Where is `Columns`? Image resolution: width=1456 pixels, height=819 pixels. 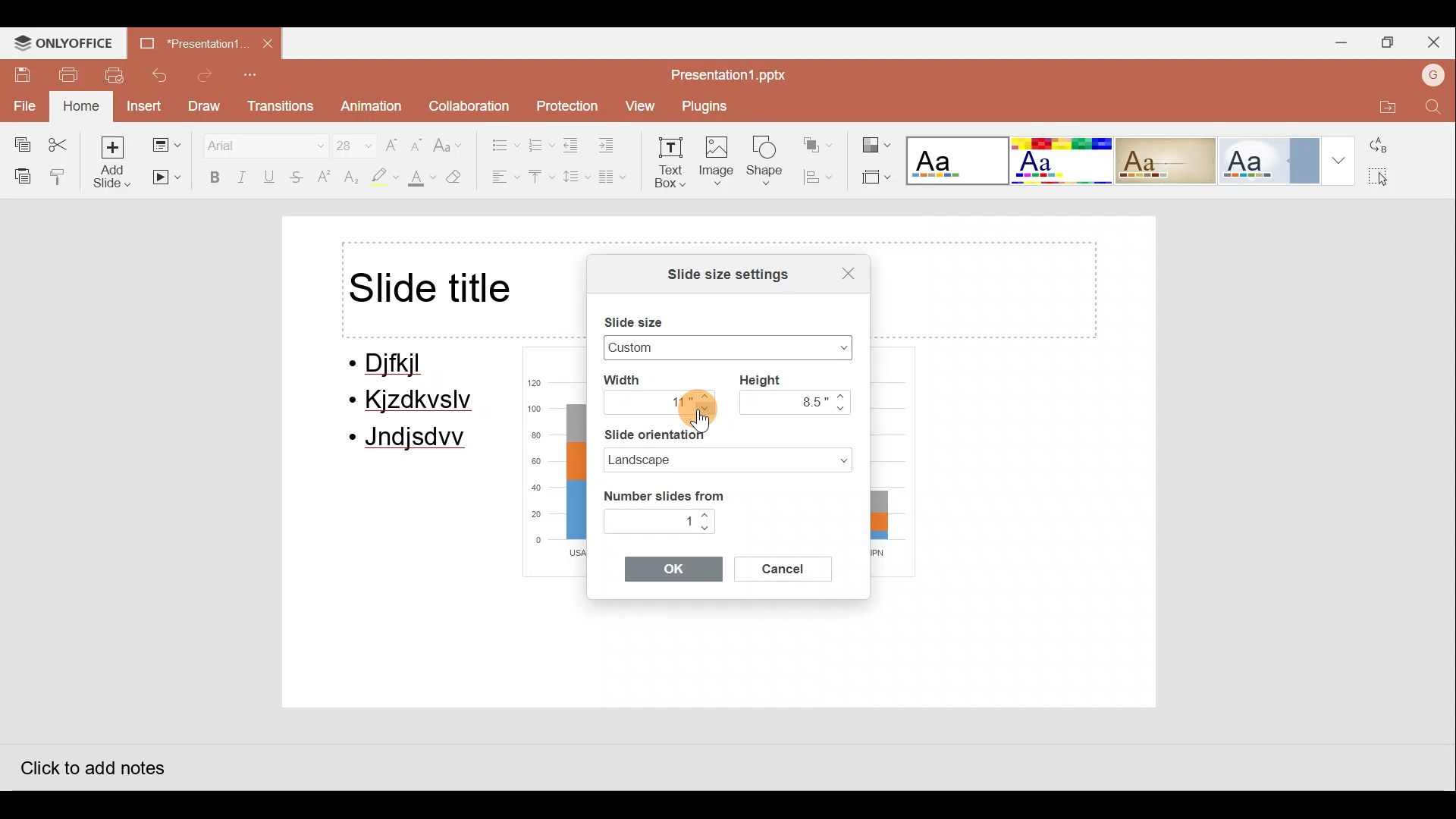
Columns is located at coordinates (618, 180).